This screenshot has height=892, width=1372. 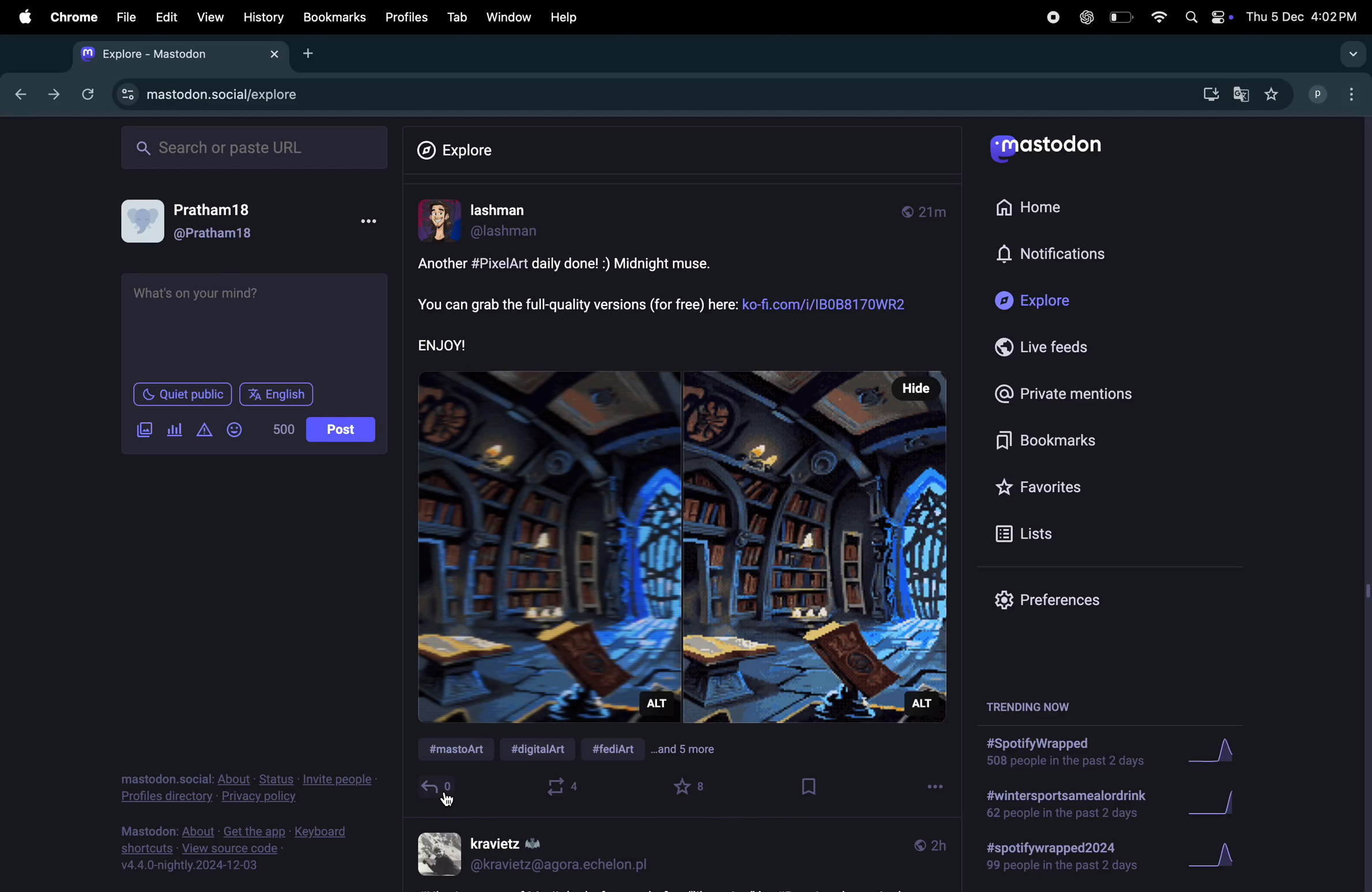 What do you see at coordinates (205, 225) in the screenshot?
I see `` at bounding box center [205, 225].